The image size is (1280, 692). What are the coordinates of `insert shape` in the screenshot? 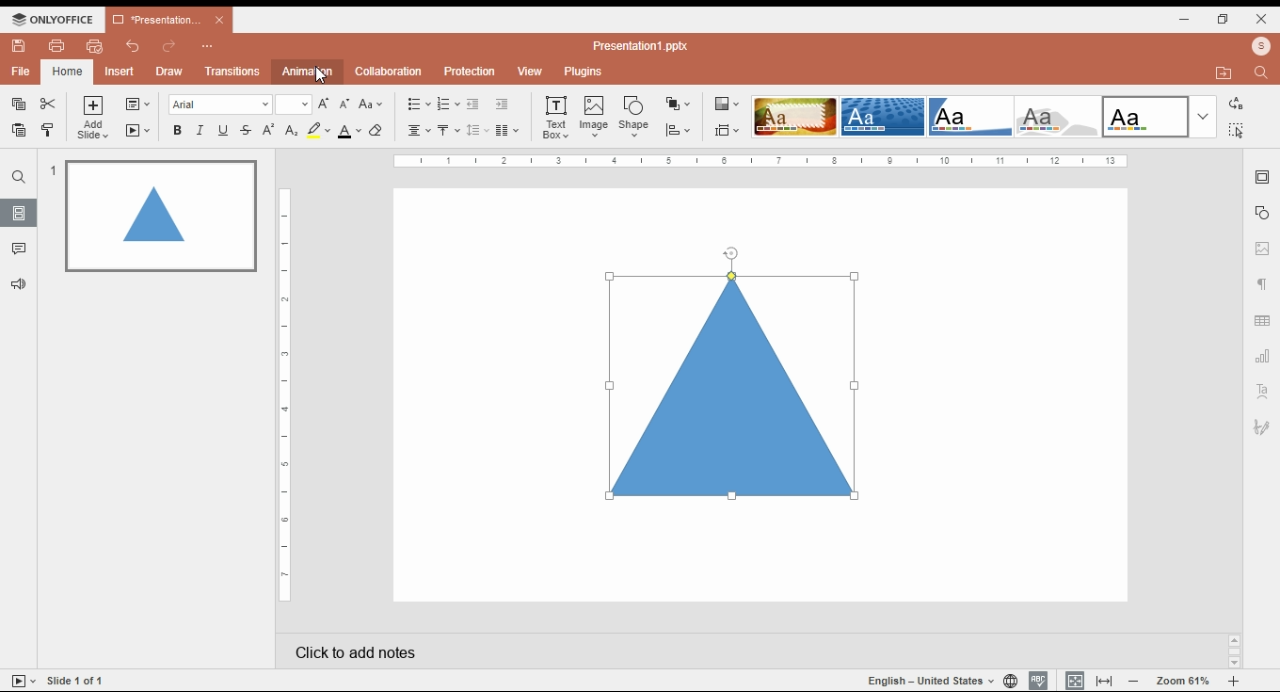 It's located at (635, 116).